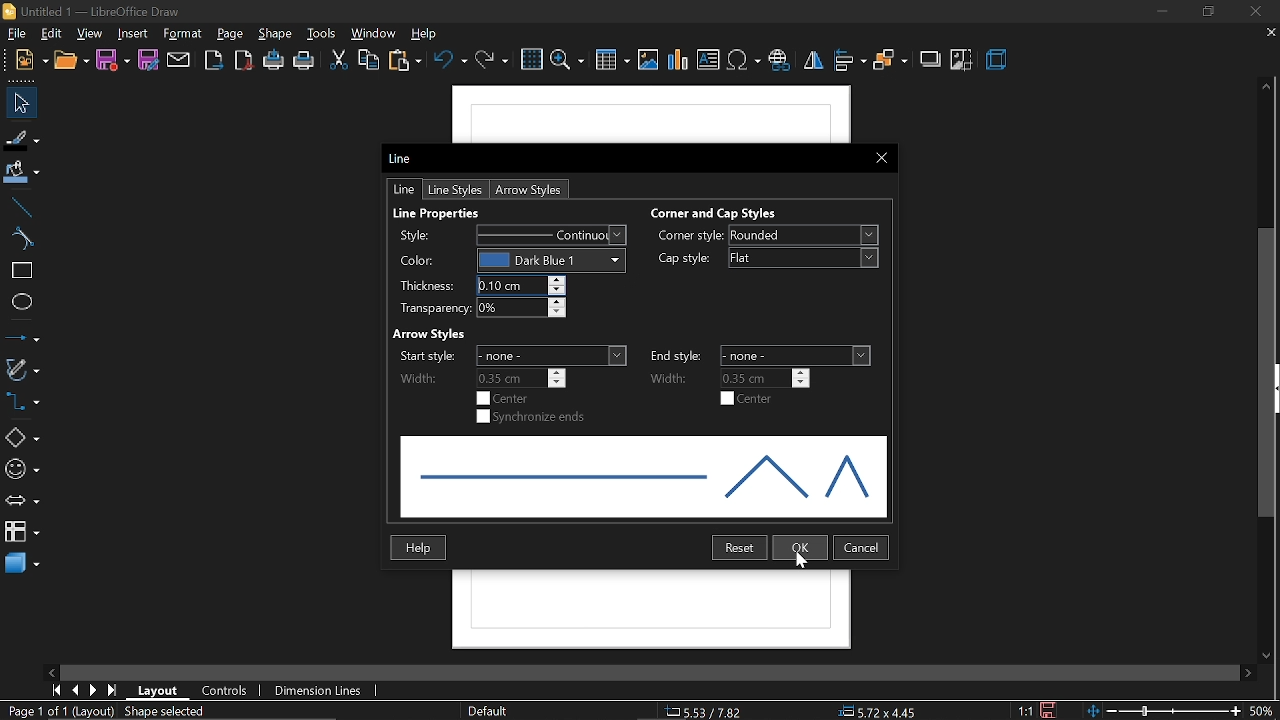 The height and width of the screenshot is (720, 1280). Describe the element at coordinates (425, 356) in the screenshot. I see `Start style:` at that location.